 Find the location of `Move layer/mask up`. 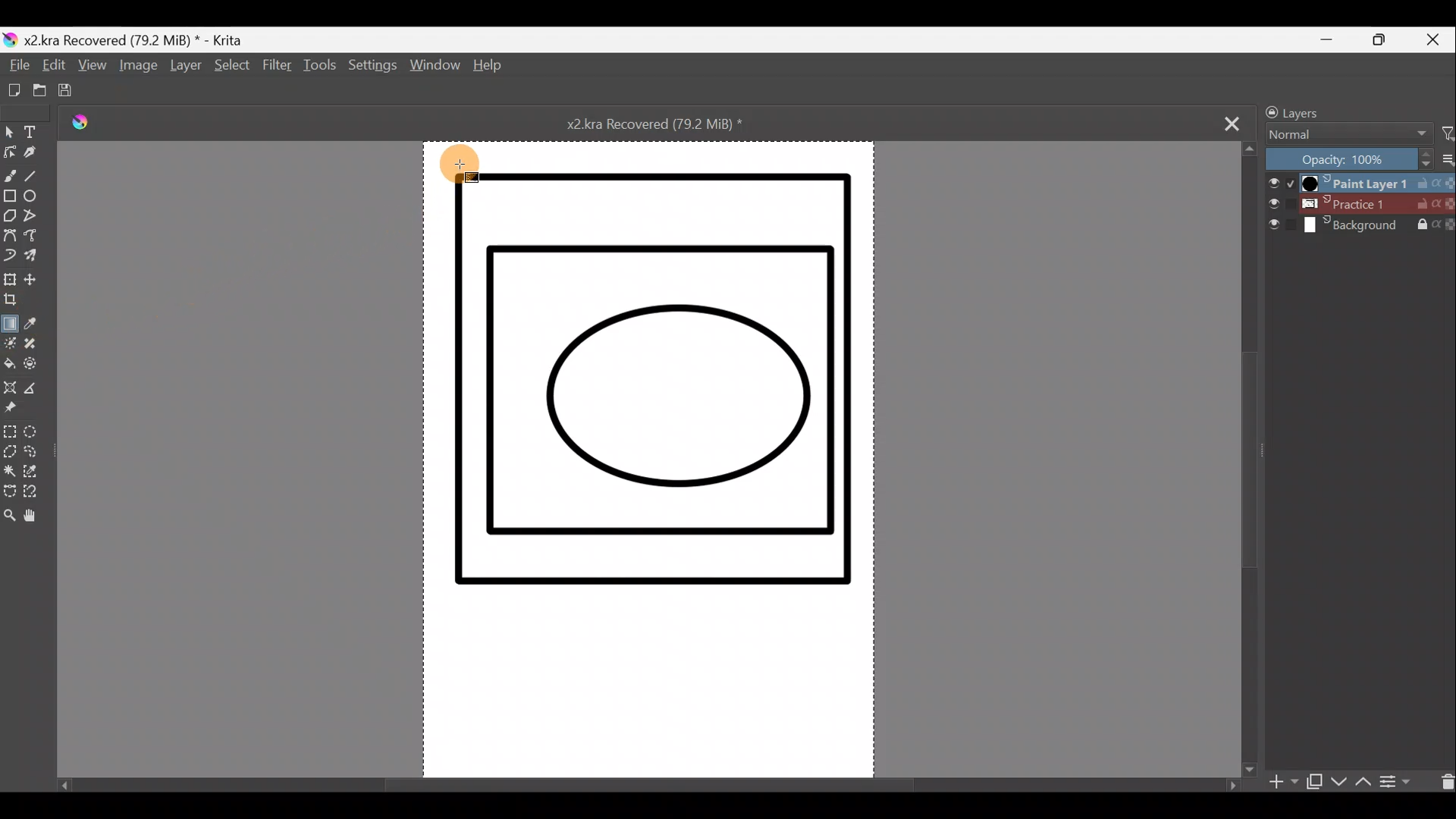

Move layer/mask up is located at coordinates (1361, 782).